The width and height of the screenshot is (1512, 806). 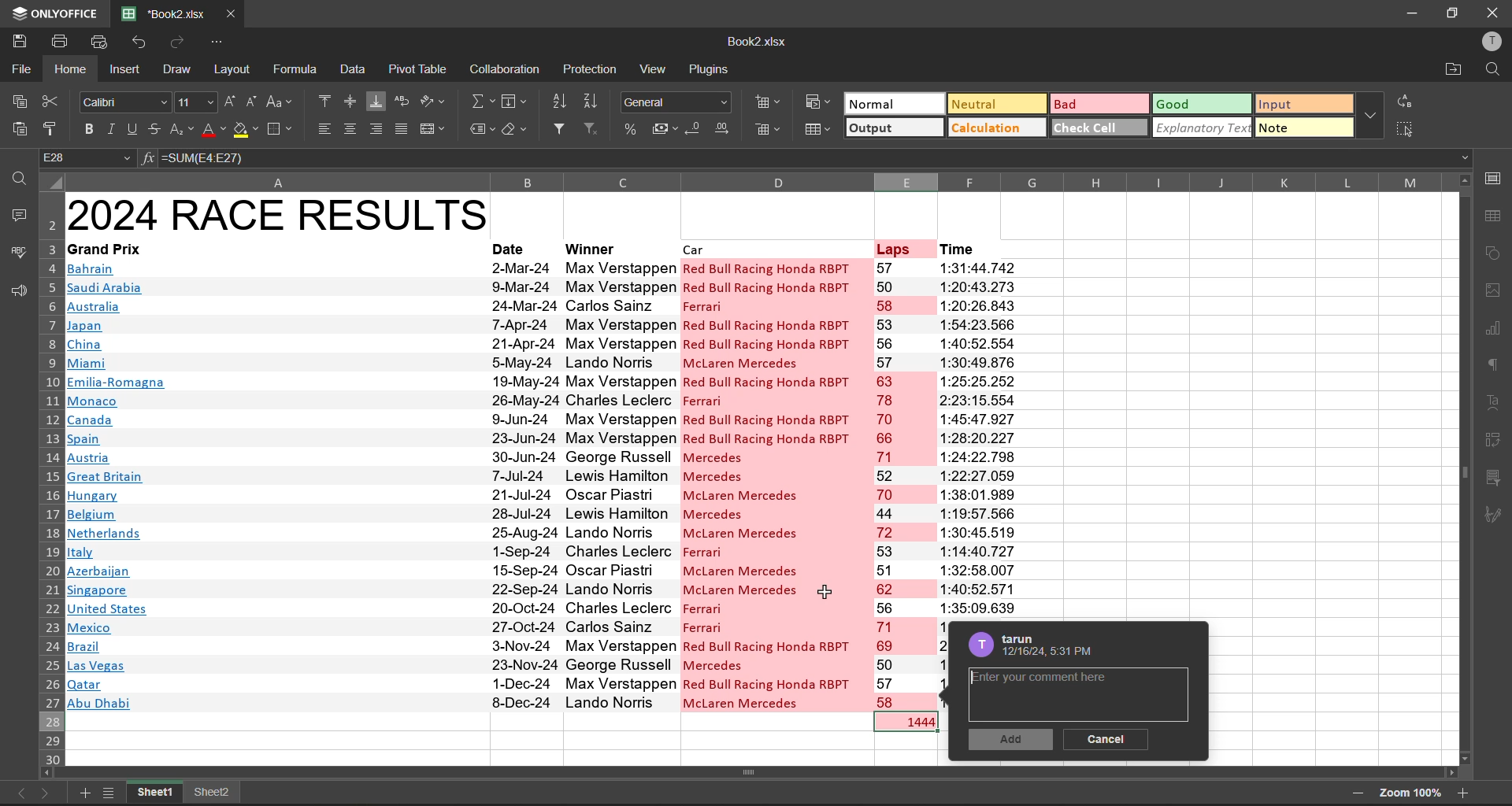 I want to click on cut, so click(x=52, y=100).